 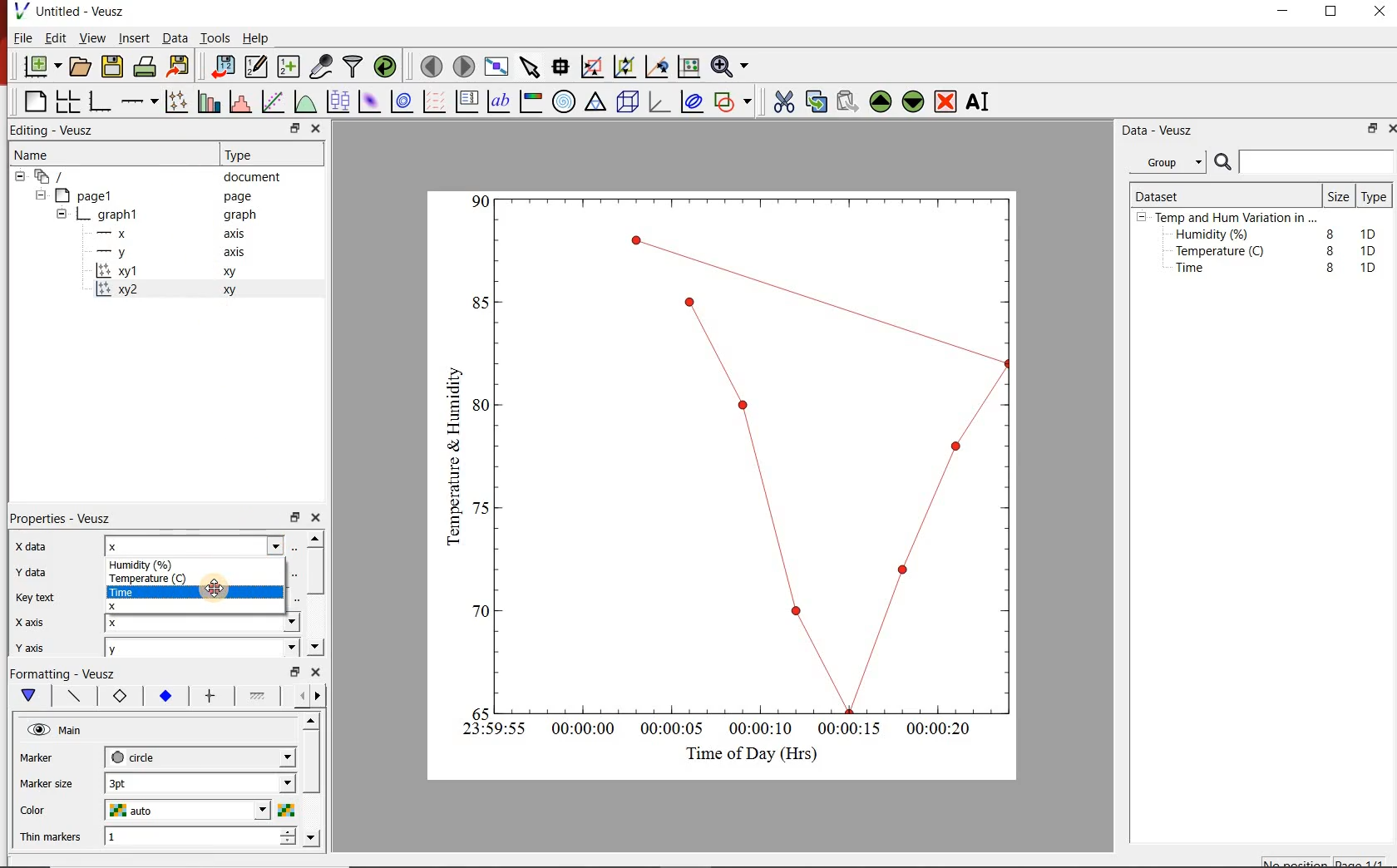 What do you see at coordinates (625, 68) in the screenshot?
I see `click to zoom out of graph axes` at bounding box center [625, 68].